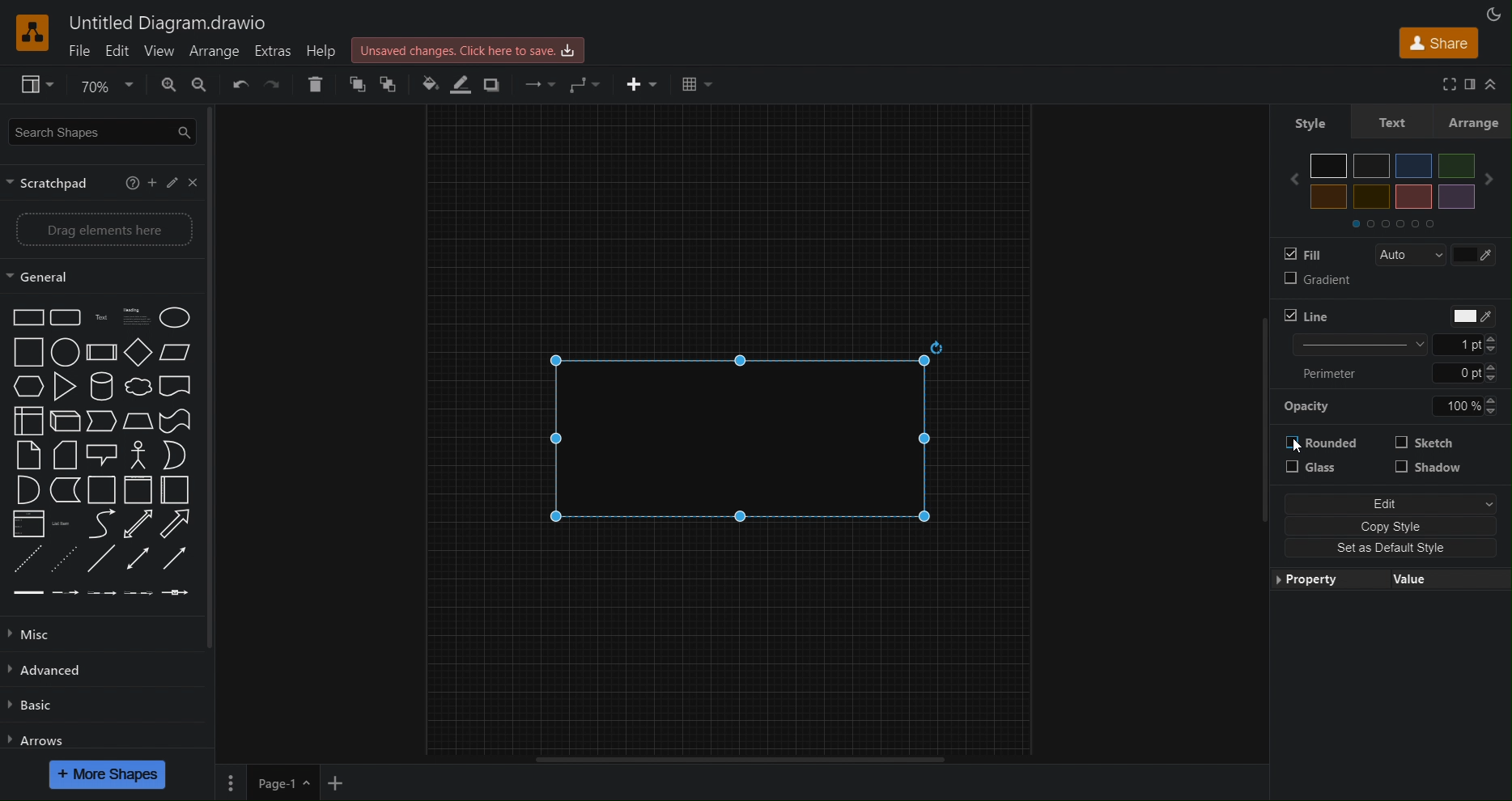  What do you see at coordinates (321, 86) in the screenshot?
I see `Delete` at bounding box center [321, 86].